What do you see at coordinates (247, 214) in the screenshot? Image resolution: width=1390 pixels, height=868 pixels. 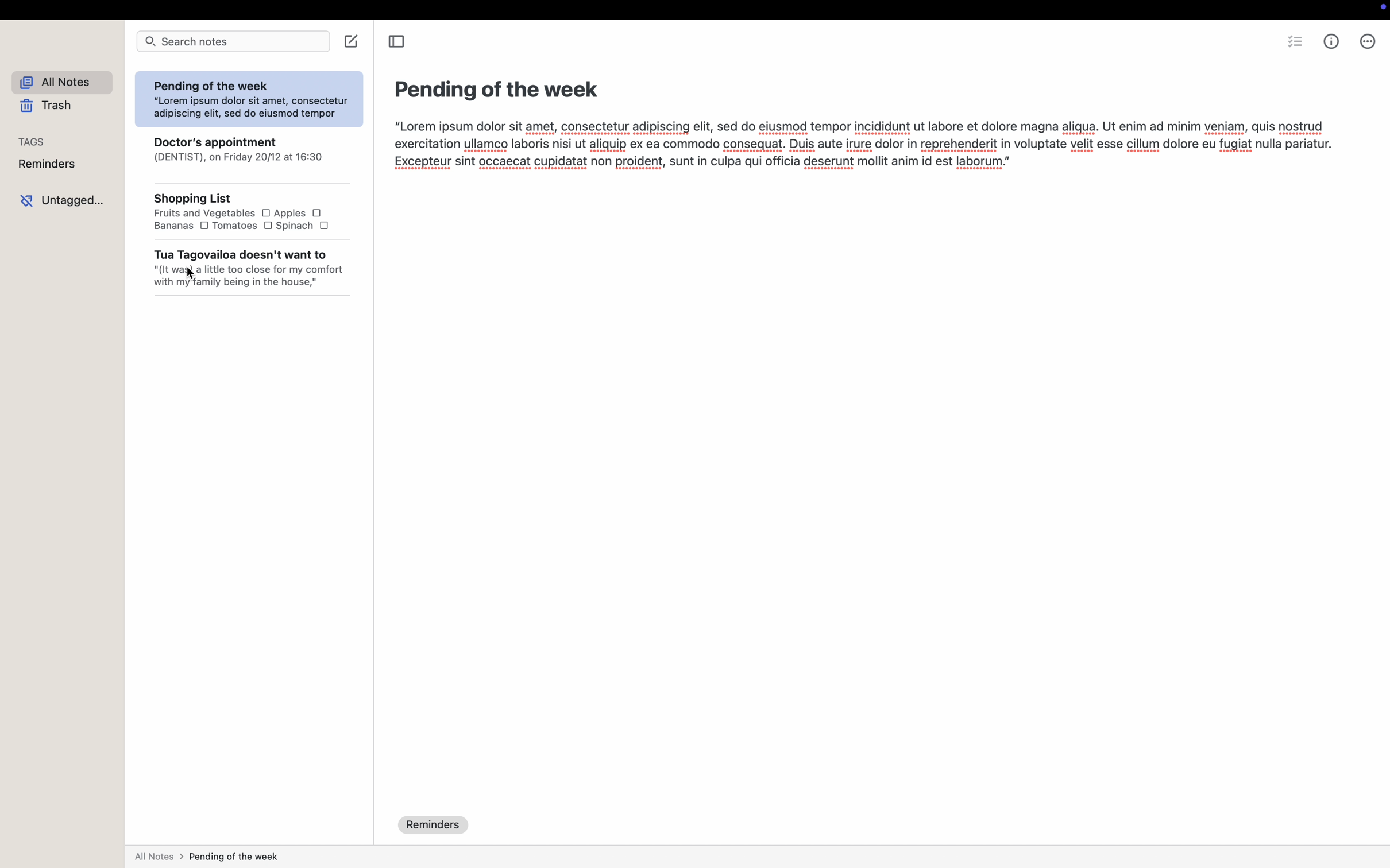 I see `2nopping LIst
Fruits and Vegetables O Apples O
Bananas O Tomatoes O Spinach O` at bounding box center [247, 214].